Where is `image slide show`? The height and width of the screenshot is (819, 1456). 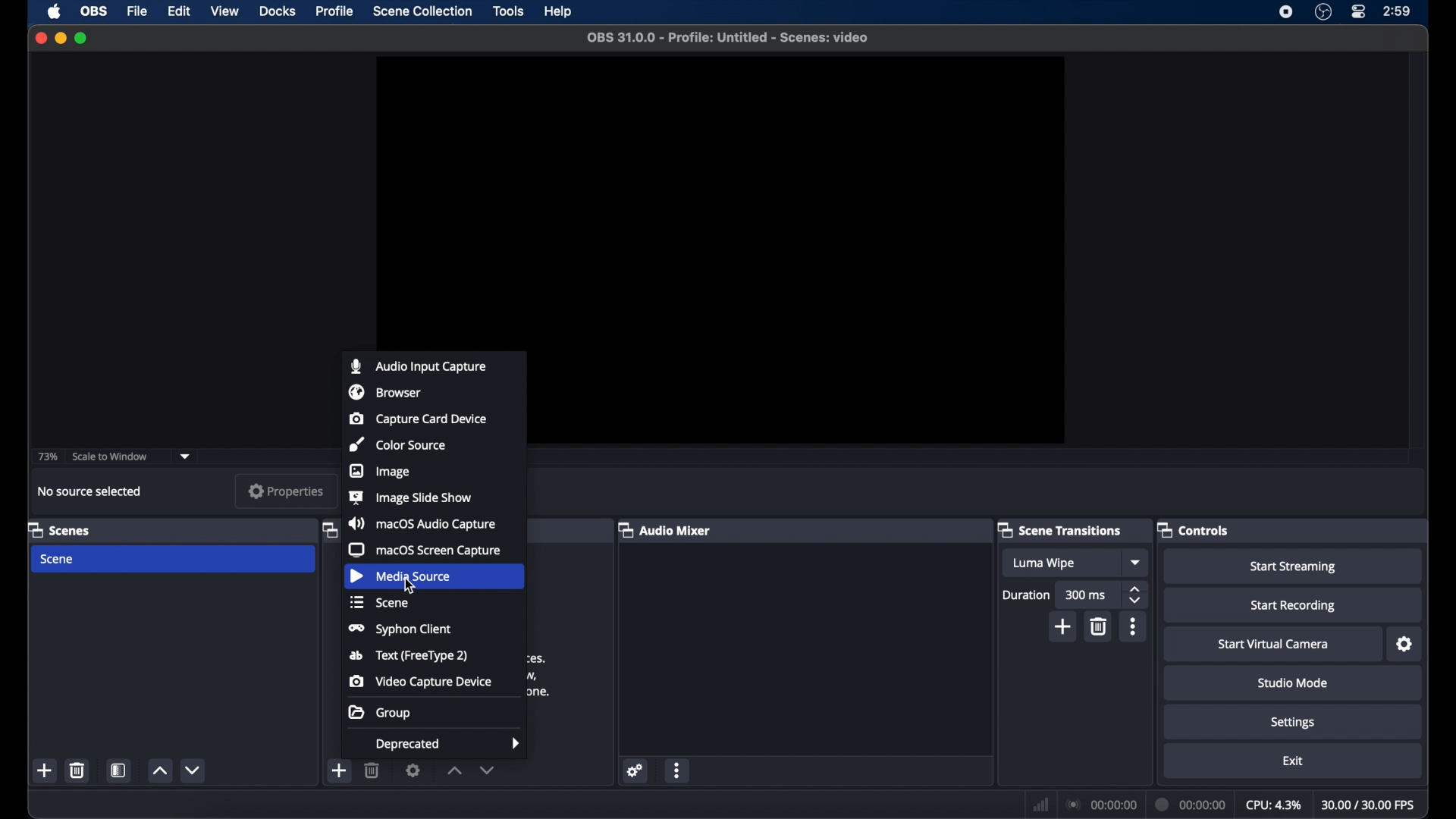 image slide show is located at coordinates (409, 497).